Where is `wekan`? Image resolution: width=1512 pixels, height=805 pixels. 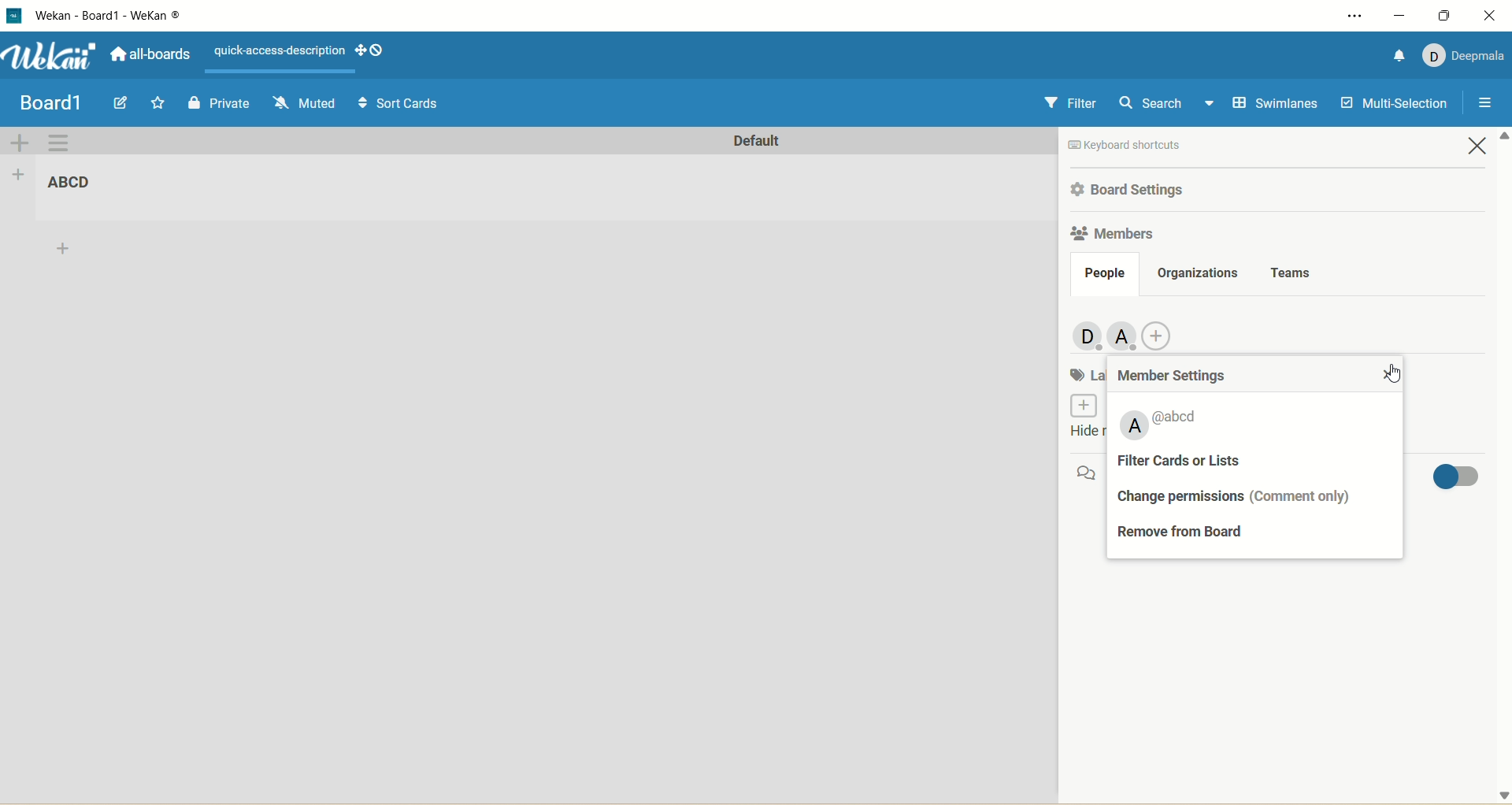
wekan is located at coordinates (52, 55).